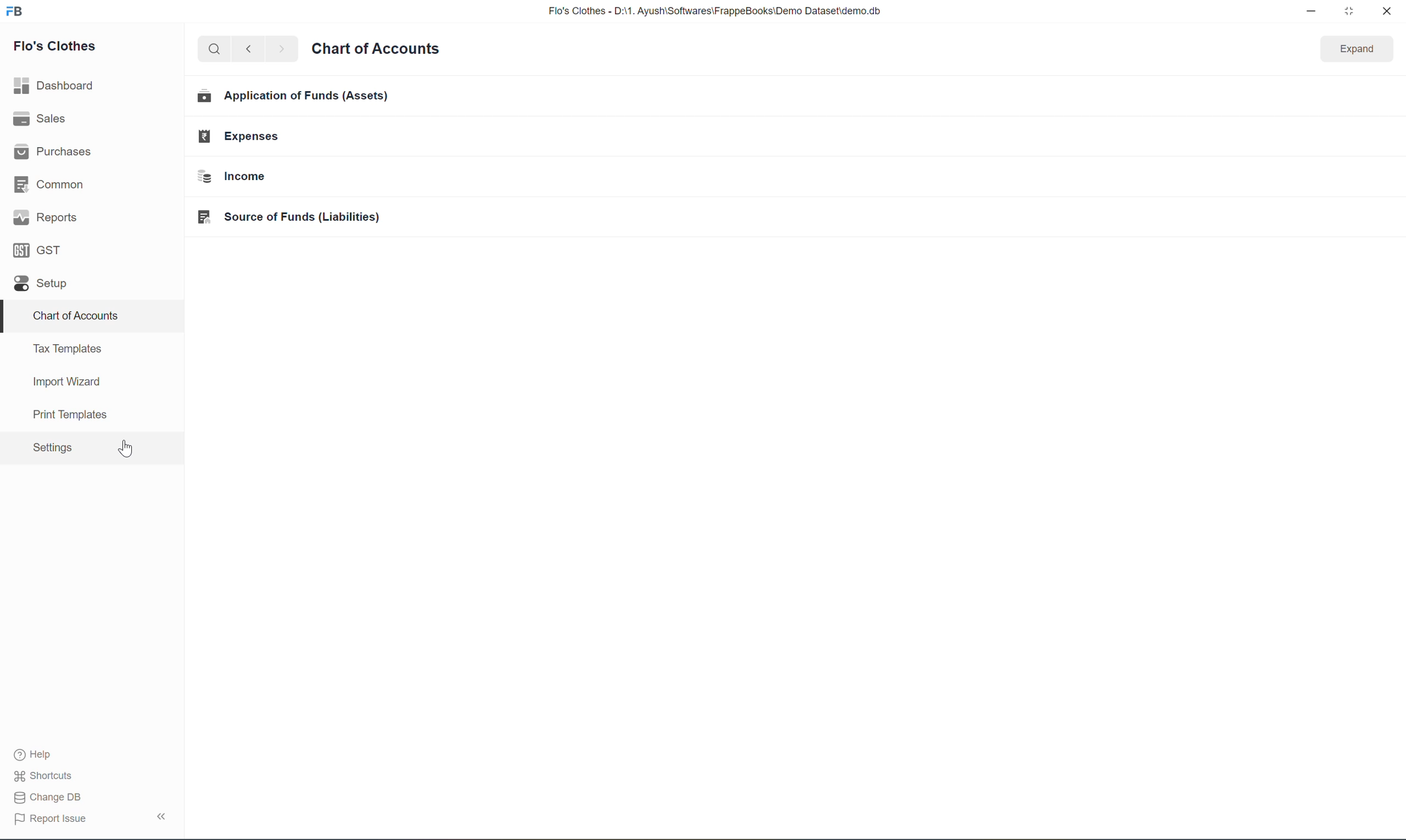  Describe the element at coordinates (163, 815) in the screenshot. I see `Collapse` at that location.